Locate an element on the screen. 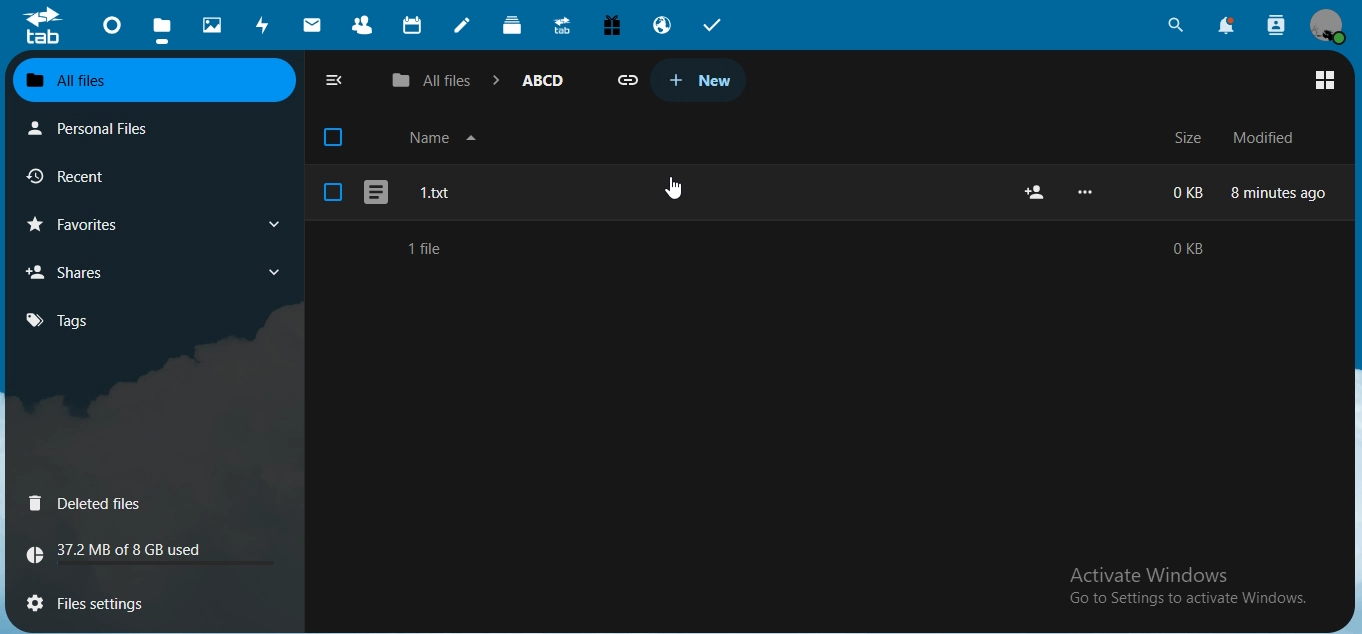 The image size is (1362, 634). notifications is located at coordinates (1228, 27).